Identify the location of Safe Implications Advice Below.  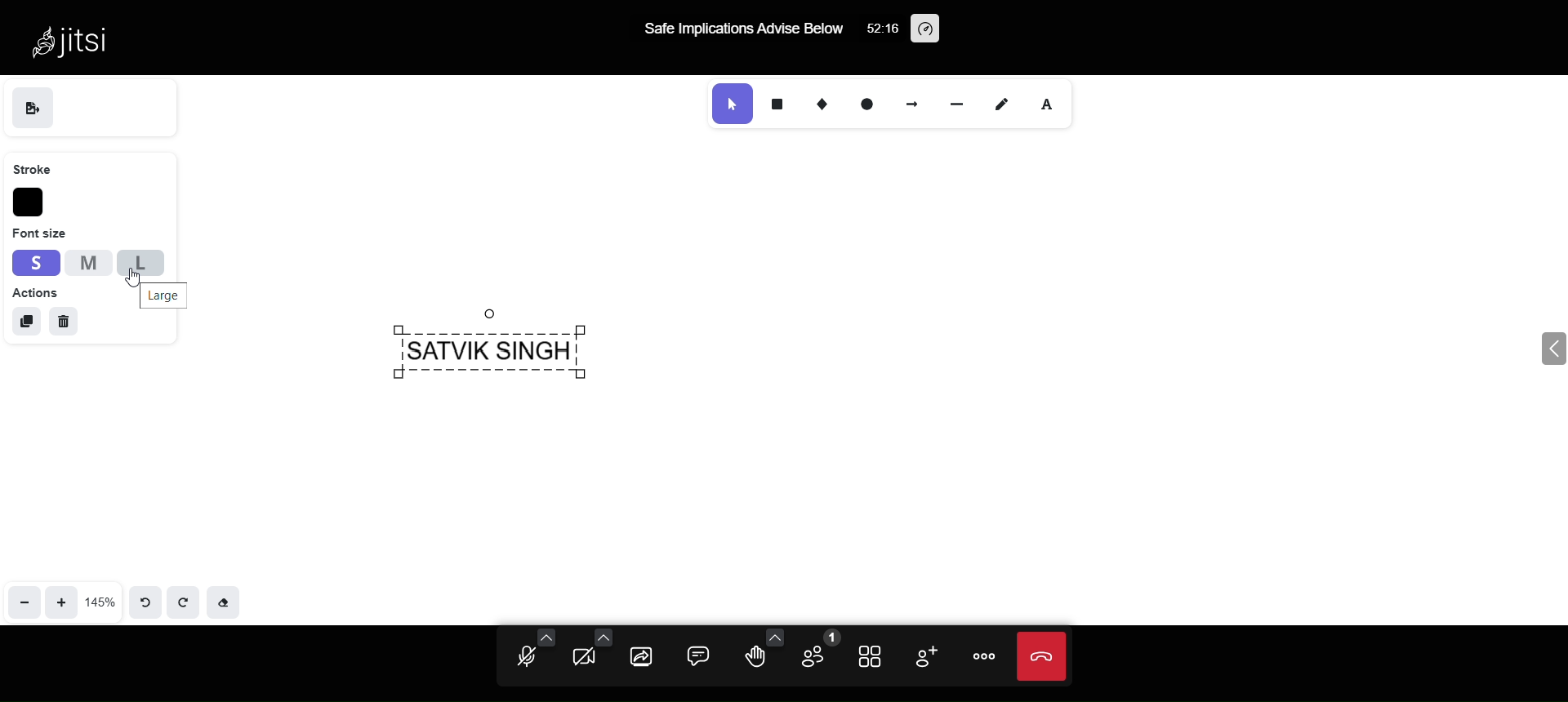
(745, 30).